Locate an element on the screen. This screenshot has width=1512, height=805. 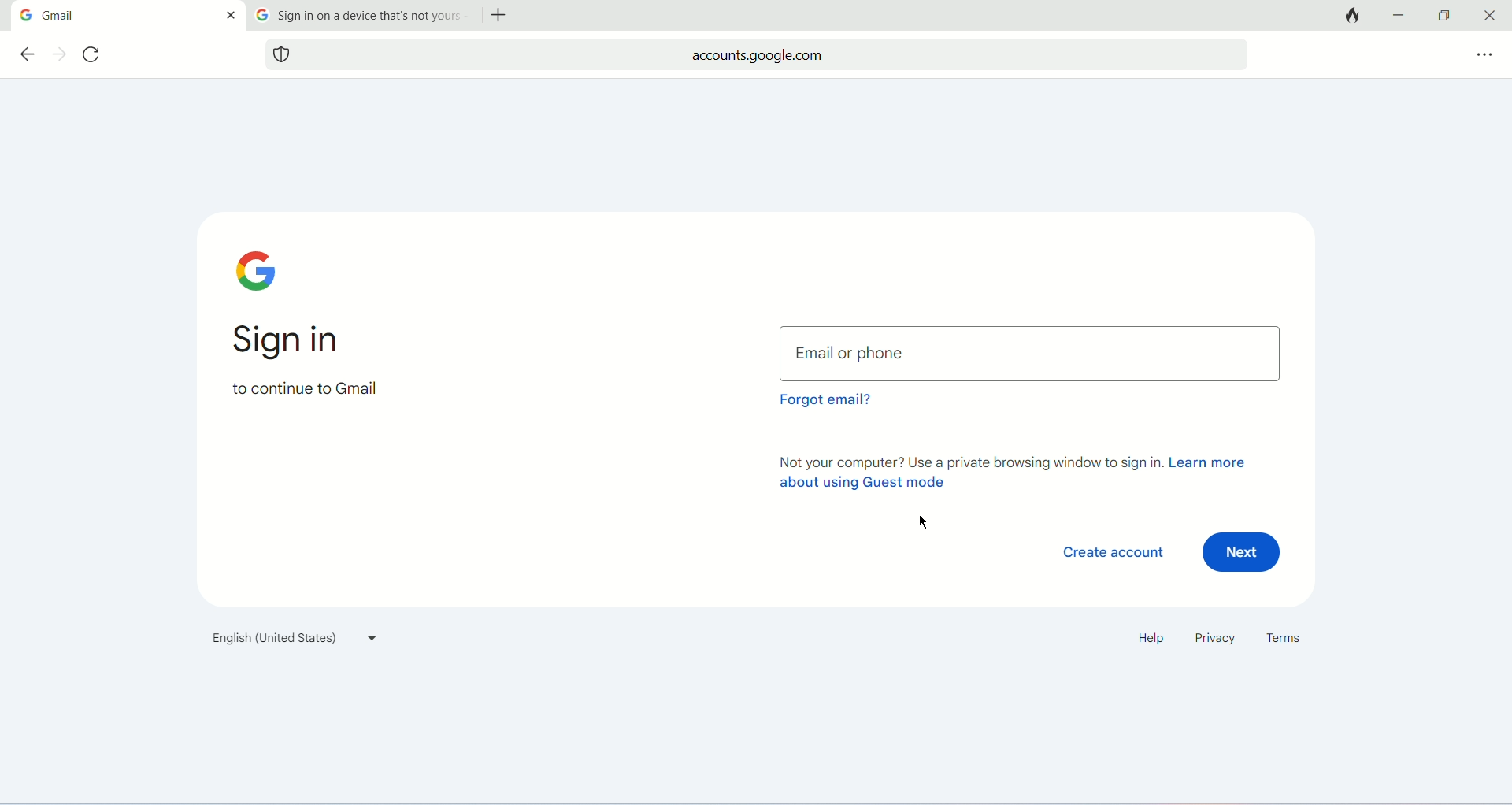
privacy is located at coordinates (1213, 640).